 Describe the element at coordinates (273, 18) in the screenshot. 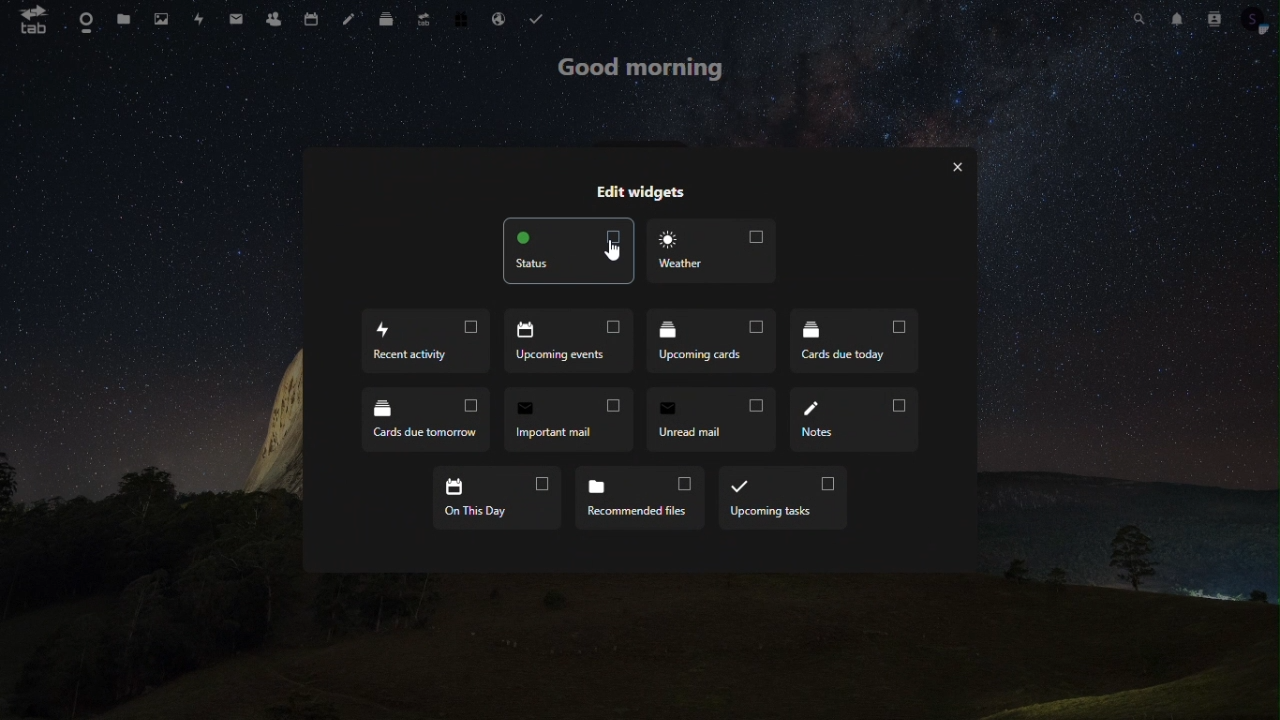

I see `contacts` at that location.